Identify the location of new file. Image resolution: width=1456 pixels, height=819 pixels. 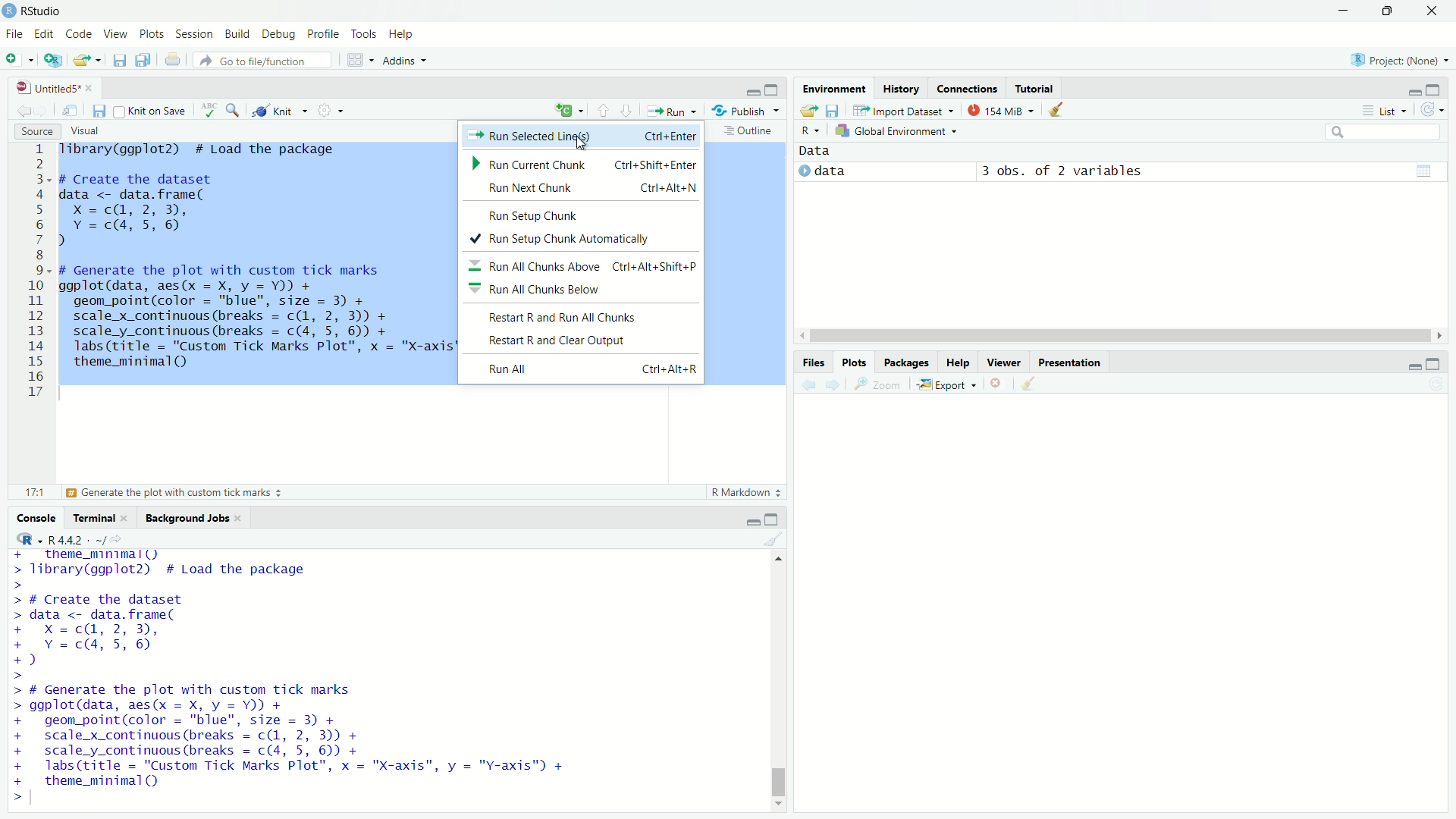
(19, 60).